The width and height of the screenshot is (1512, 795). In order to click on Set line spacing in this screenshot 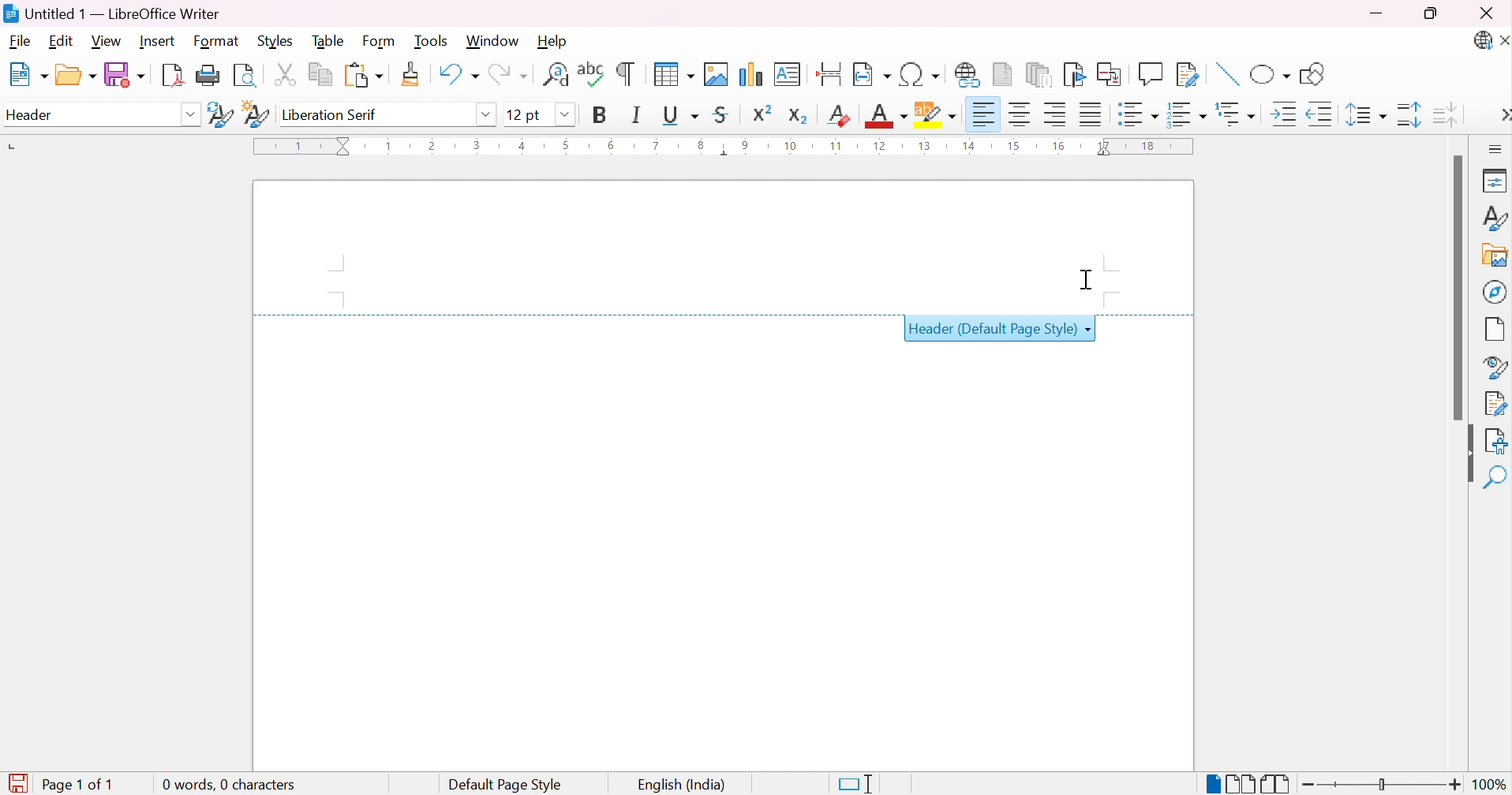, I will do `click(1366, 117)`.